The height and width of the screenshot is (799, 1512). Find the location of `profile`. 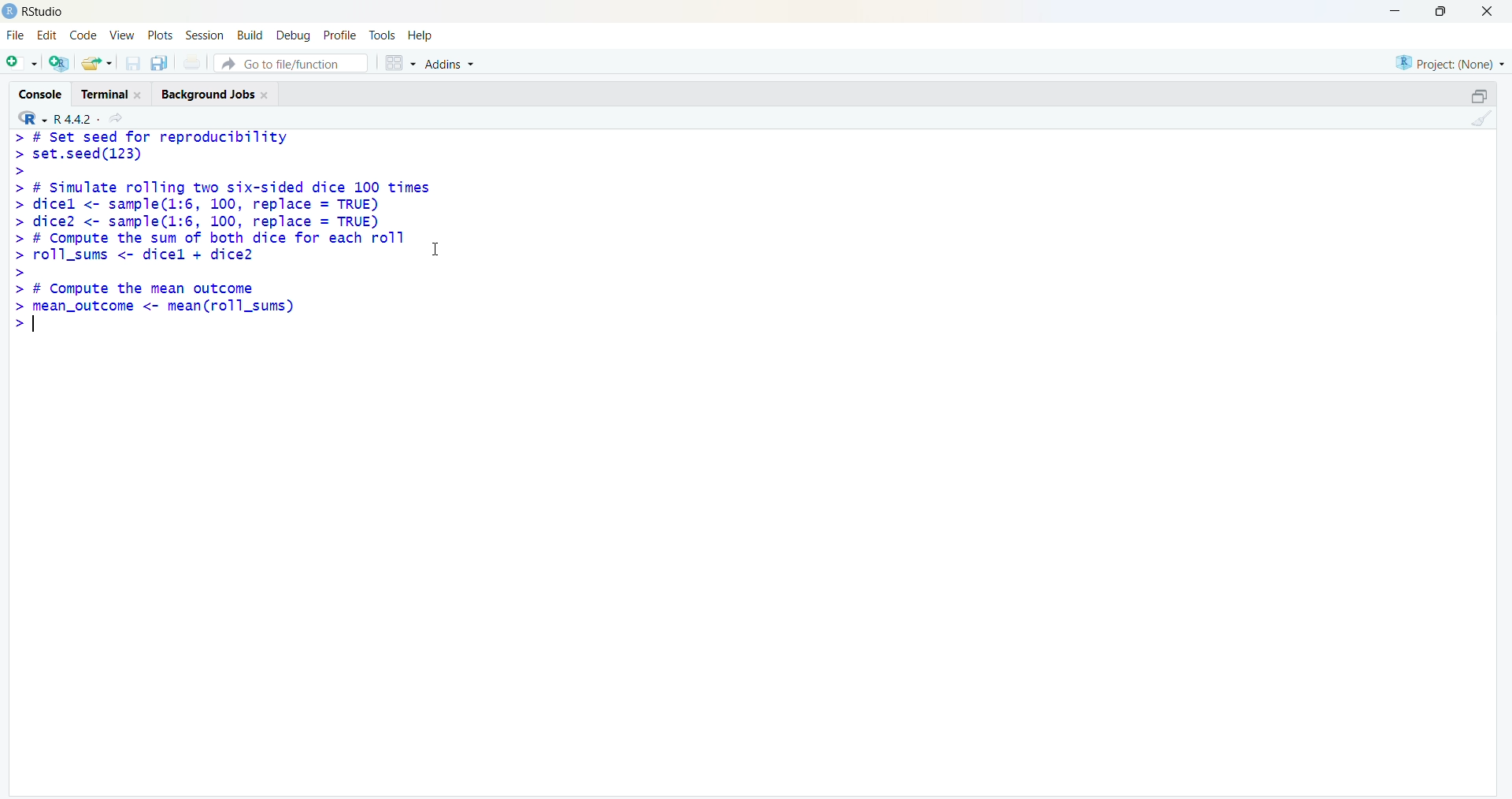

profile is located at coordinates (342, 36).